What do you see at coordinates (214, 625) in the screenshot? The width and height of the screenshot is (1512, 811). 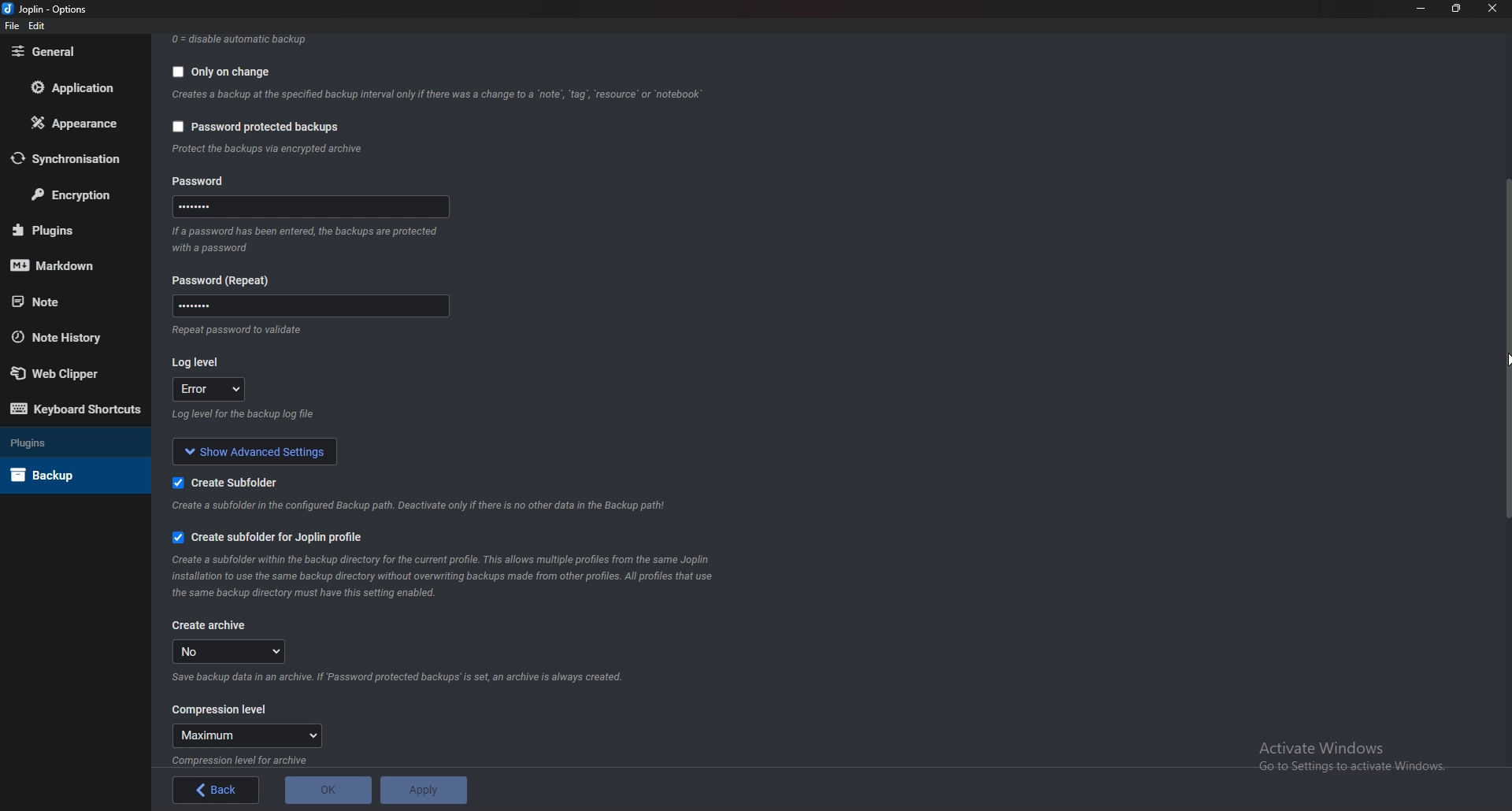 I see `Create archive` at bounding box center [214, 625].